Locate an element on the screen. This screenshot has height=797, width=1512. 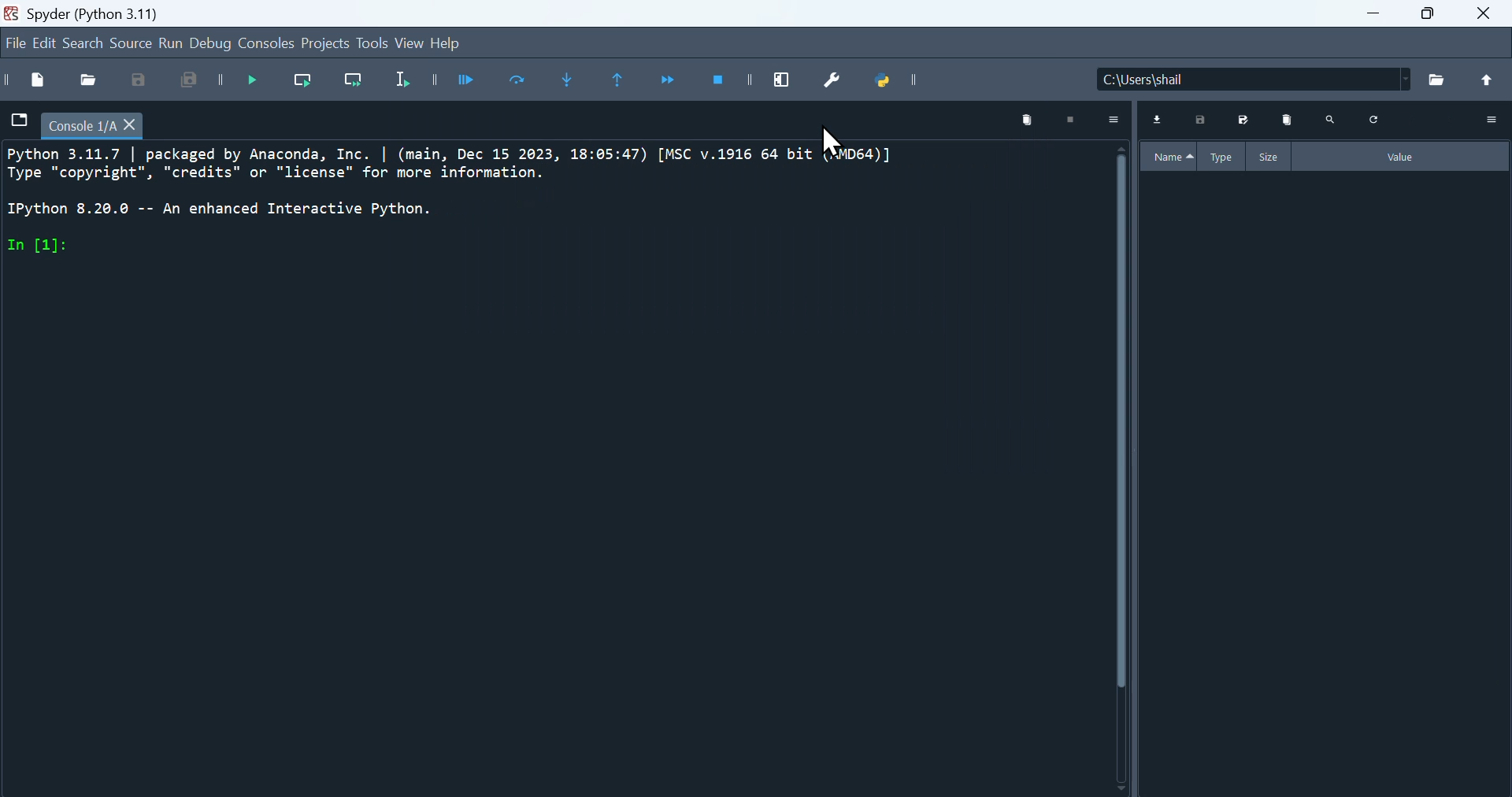
Save is located at coordinates (1204, 118).